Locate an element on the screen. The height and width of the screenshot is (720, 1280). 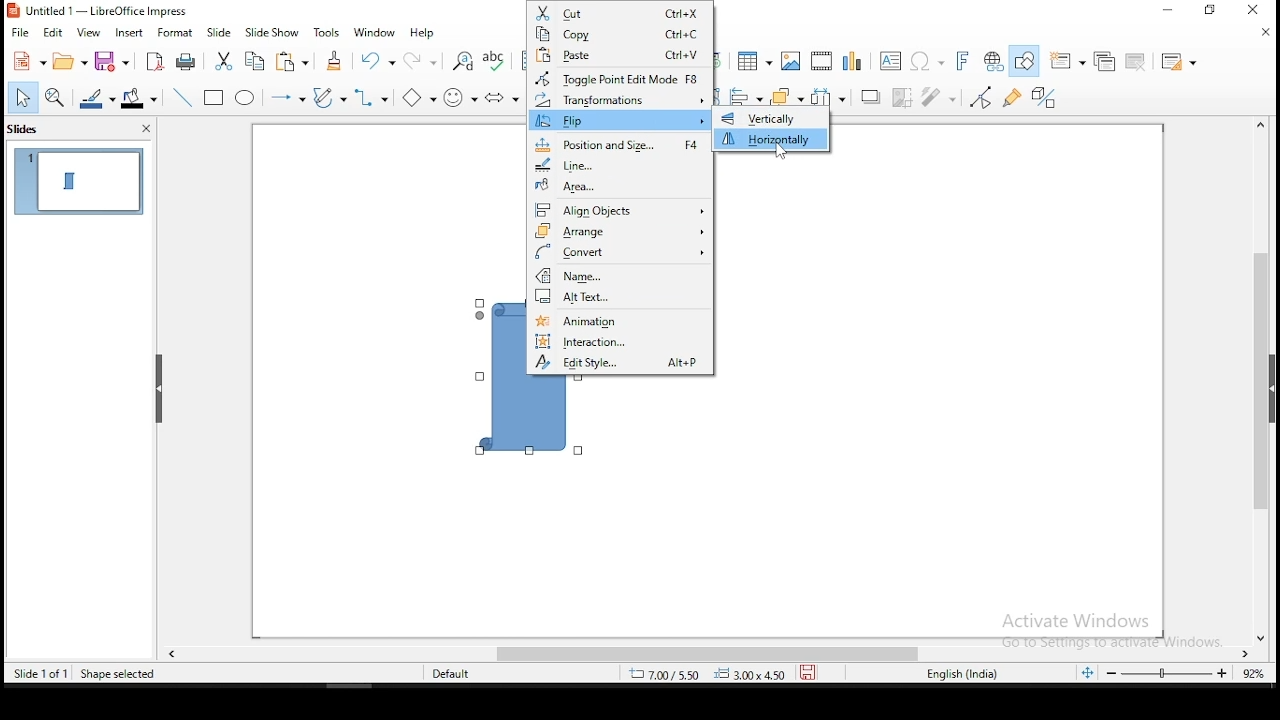
area is located at coordinates (615, 187).